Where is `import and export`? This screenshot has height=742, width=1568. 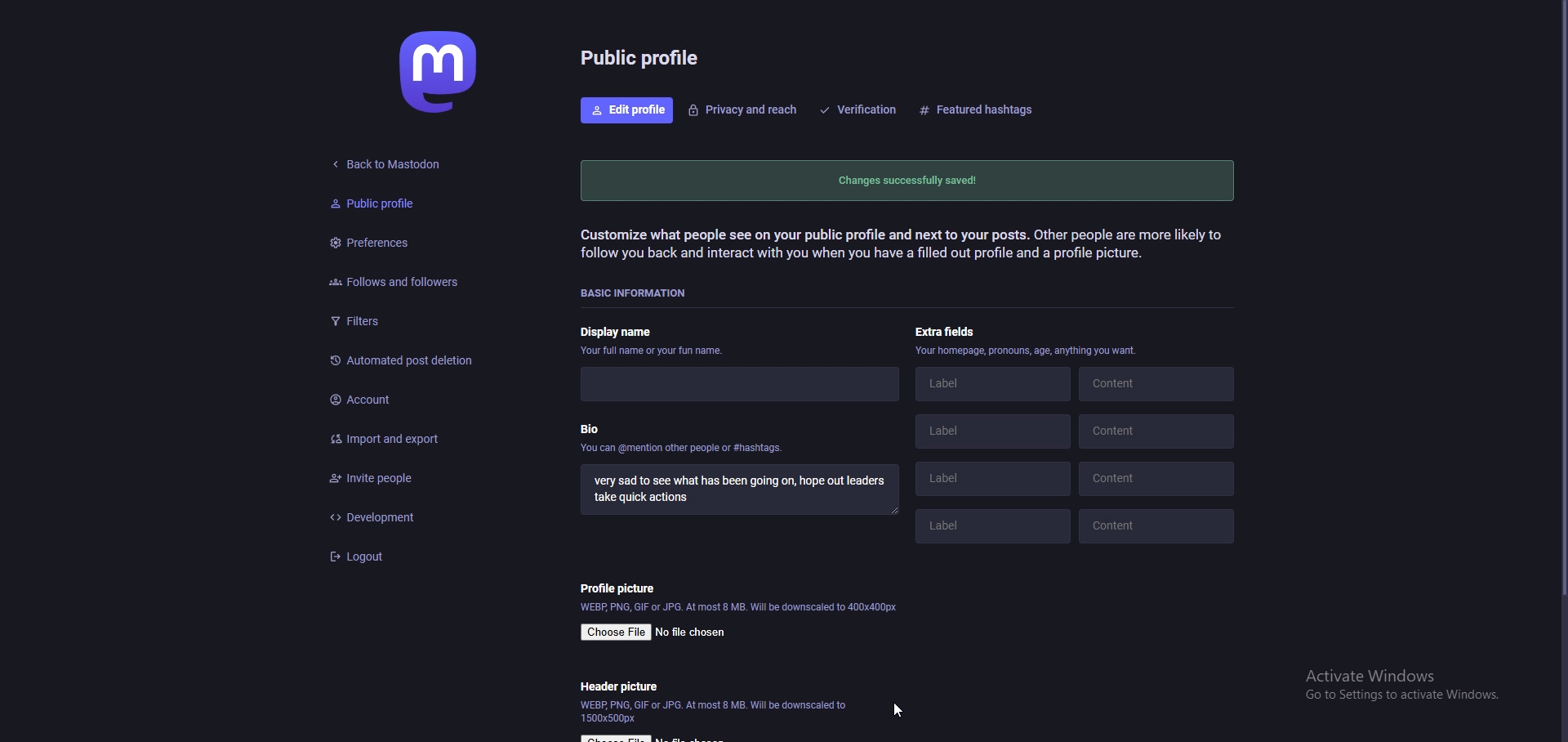 import and export is located at coordinates (413, 440).